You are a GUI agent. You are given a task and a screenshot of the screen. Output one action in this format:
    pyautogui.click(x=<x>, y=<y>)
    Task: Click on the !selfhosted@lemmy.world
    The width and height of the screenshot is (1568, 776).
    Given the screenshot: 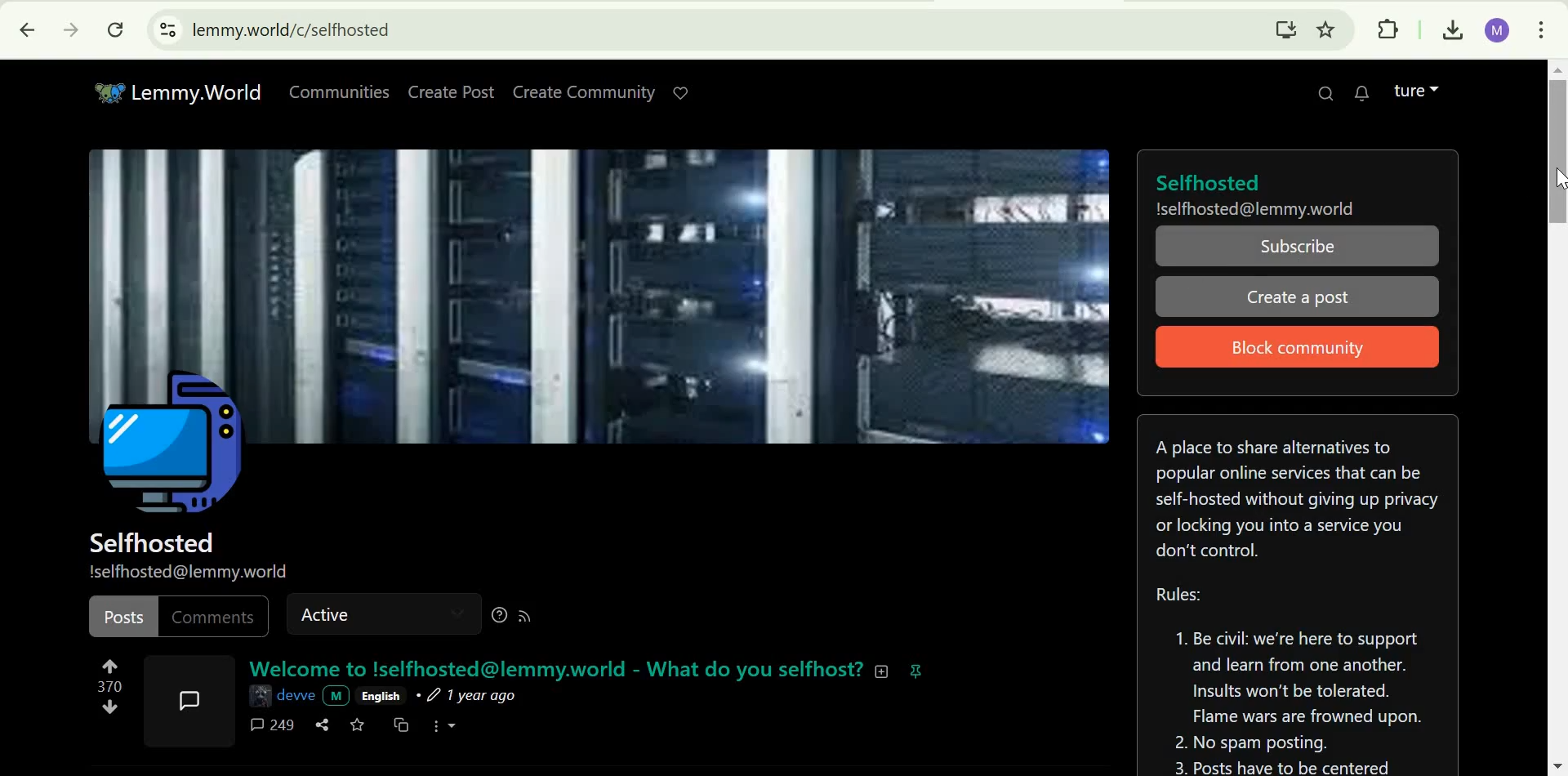 What is the action you would take?
    pyautogui.click(x=189, y=571)
    